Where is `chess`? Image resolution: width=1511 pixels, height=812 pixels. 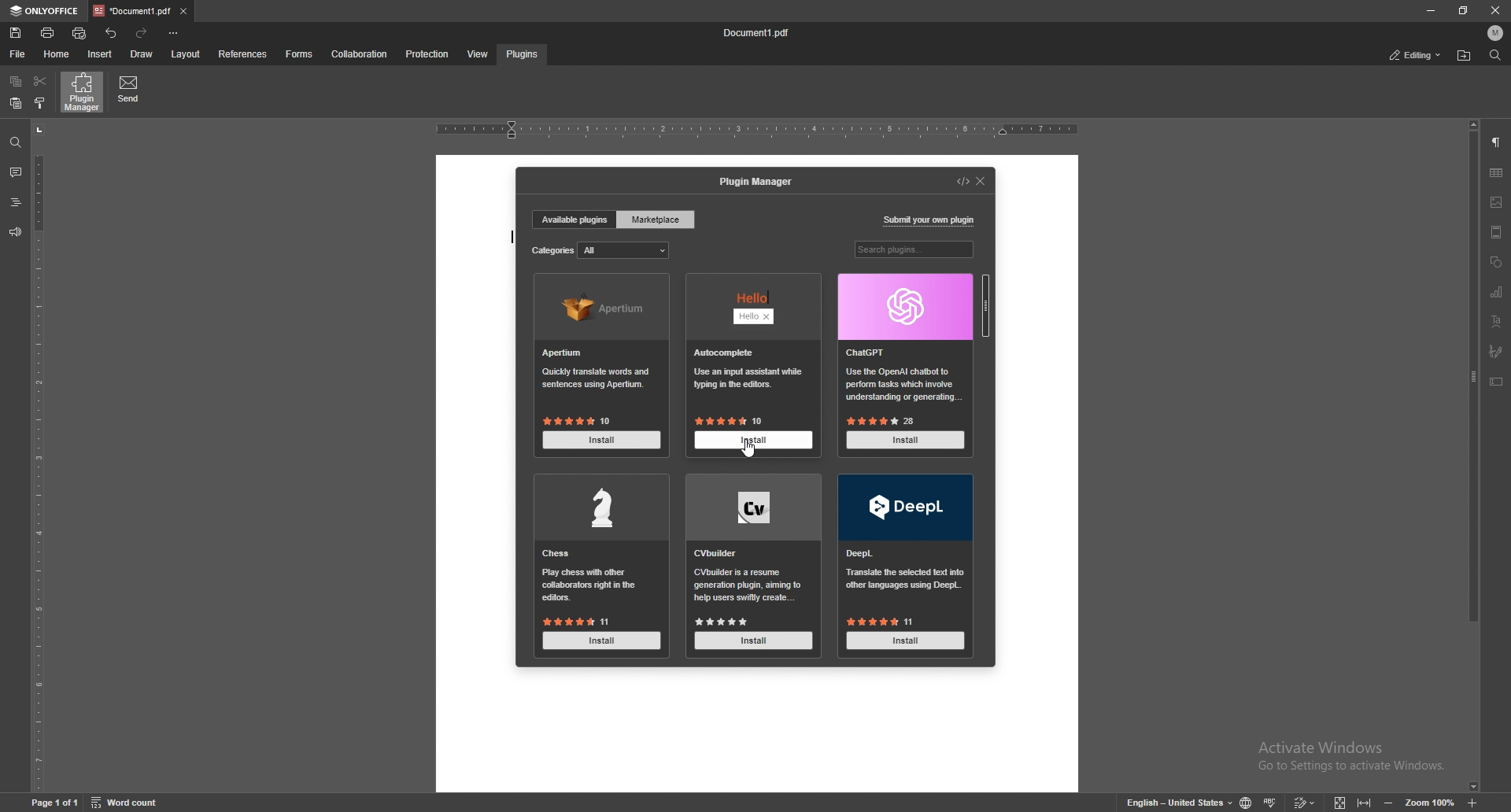 chess is located at coordinates (605, 550).